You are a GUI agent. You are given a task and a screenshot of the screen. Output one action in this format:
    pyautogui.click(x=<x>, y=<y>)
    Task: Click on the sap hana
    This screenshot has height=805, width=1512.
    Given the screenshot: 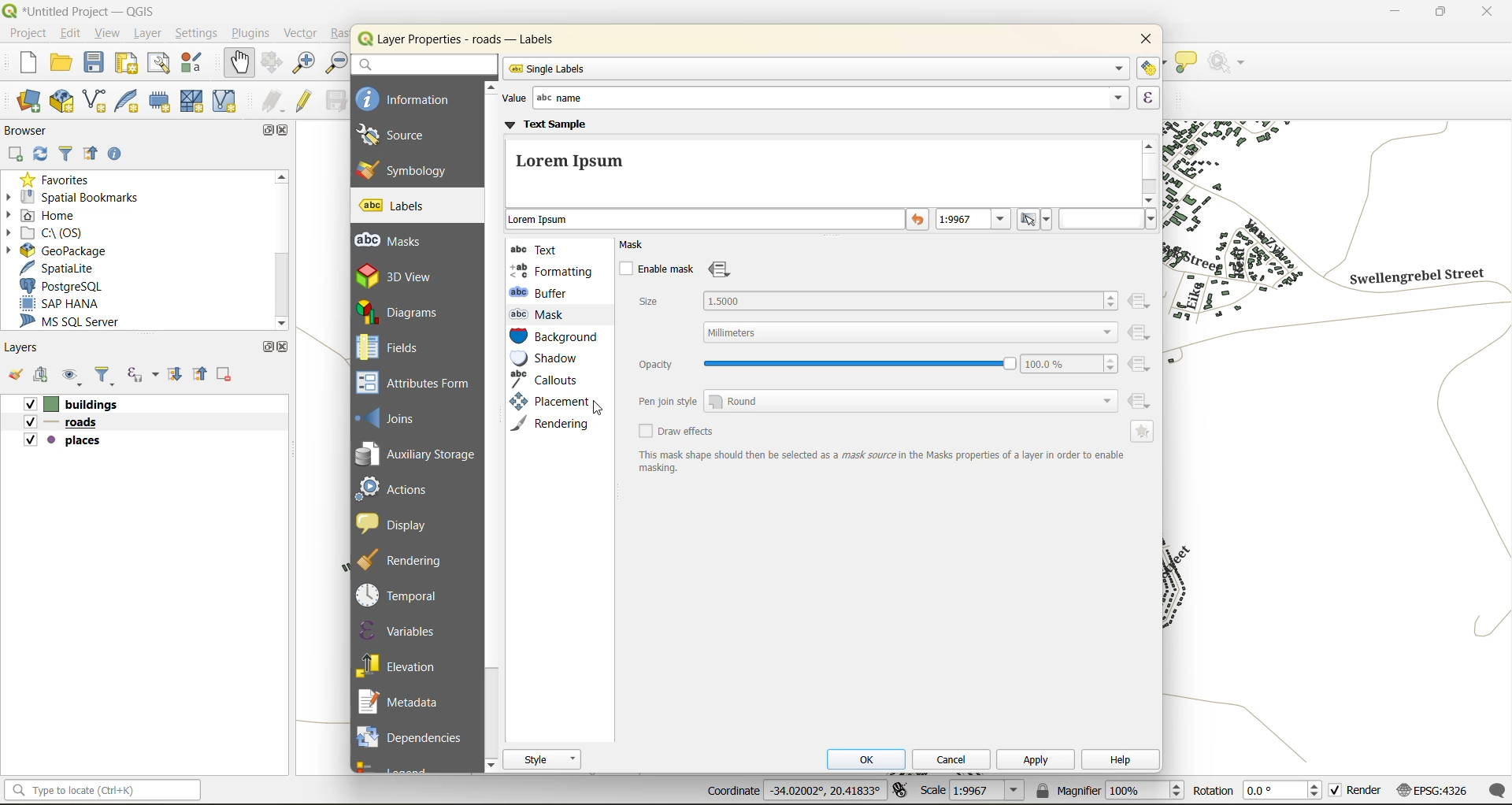 What is the action you would take?
    pyautogui.click(x=61, y=304)
    